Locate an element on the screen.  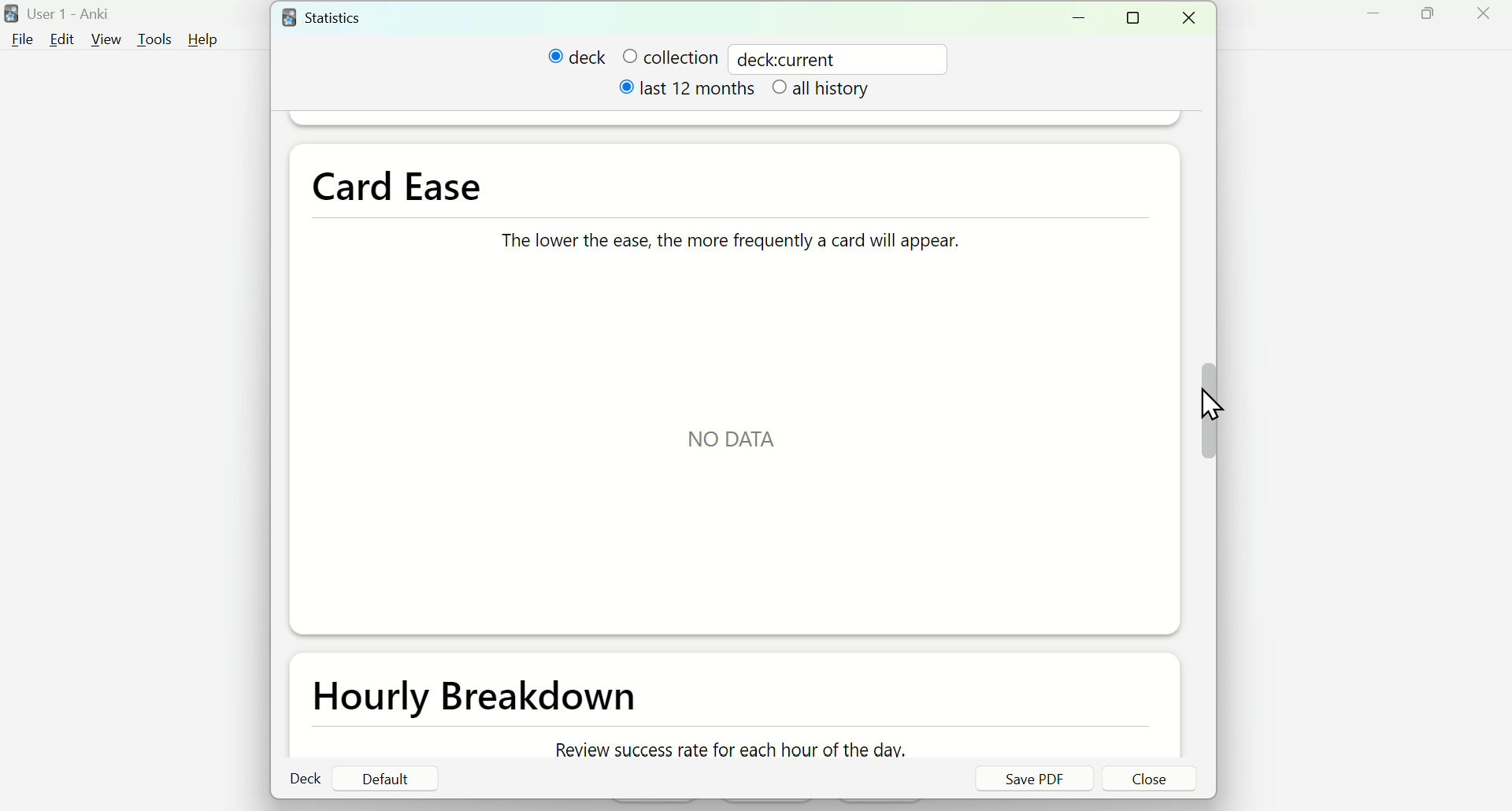
Vertical scrollbar is located at coordinates (1209, 411).